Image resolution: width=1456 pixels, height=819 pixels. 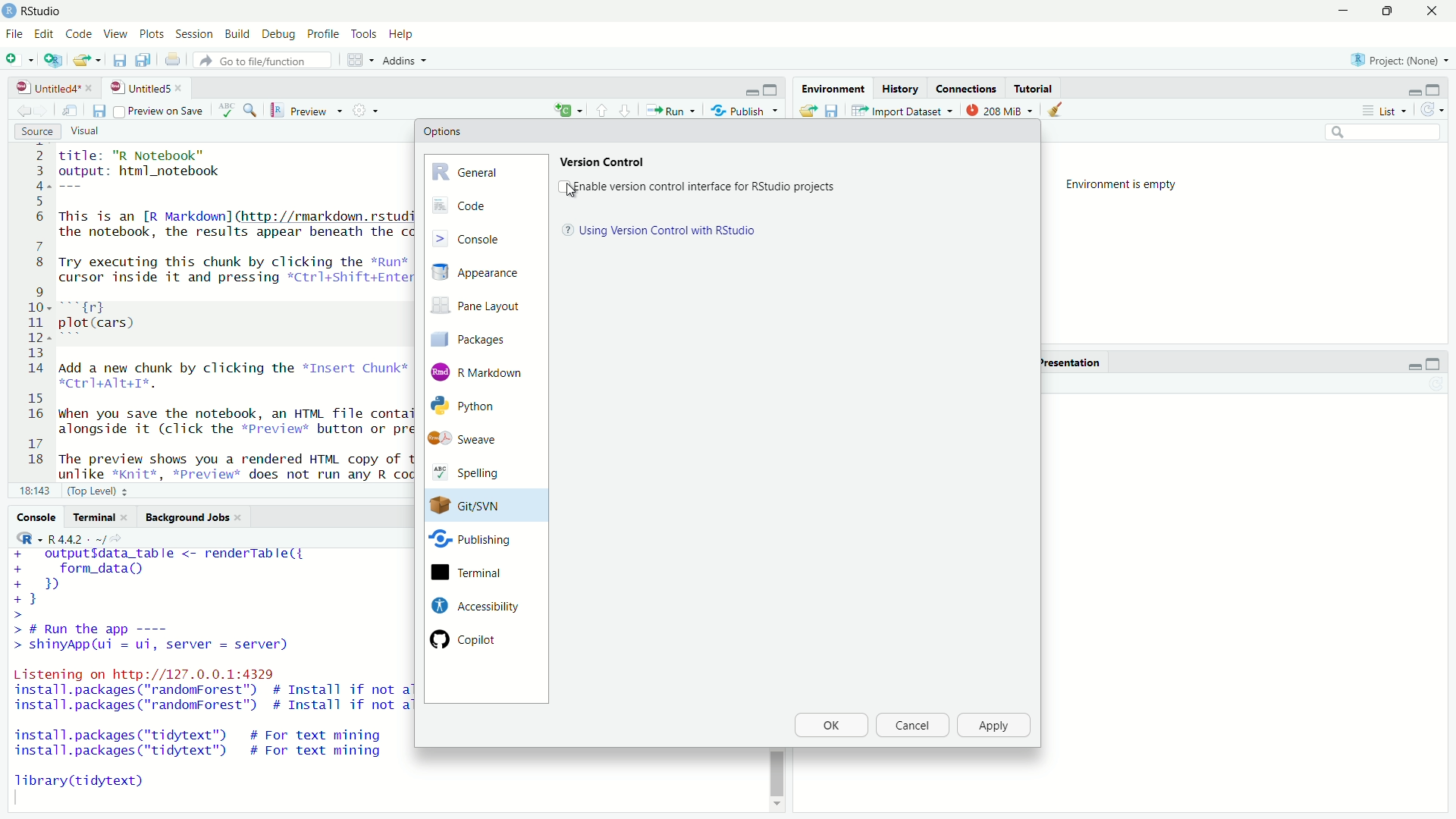 I want to click on Untitled5, so click(x=138, y=88).